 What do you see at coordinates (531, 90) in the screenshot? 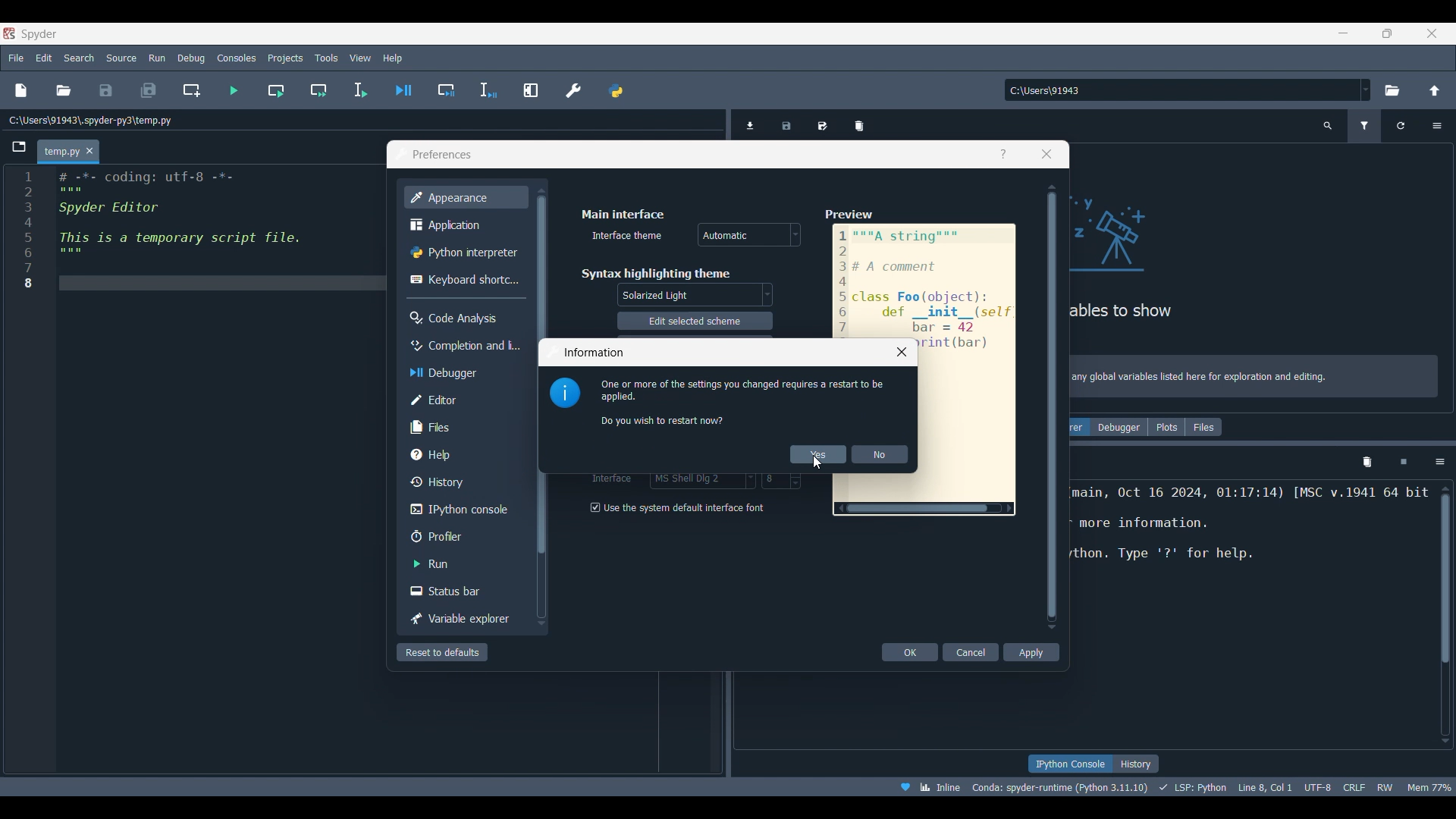
I see `Maximize current pane` at bounding box center [531, 90].